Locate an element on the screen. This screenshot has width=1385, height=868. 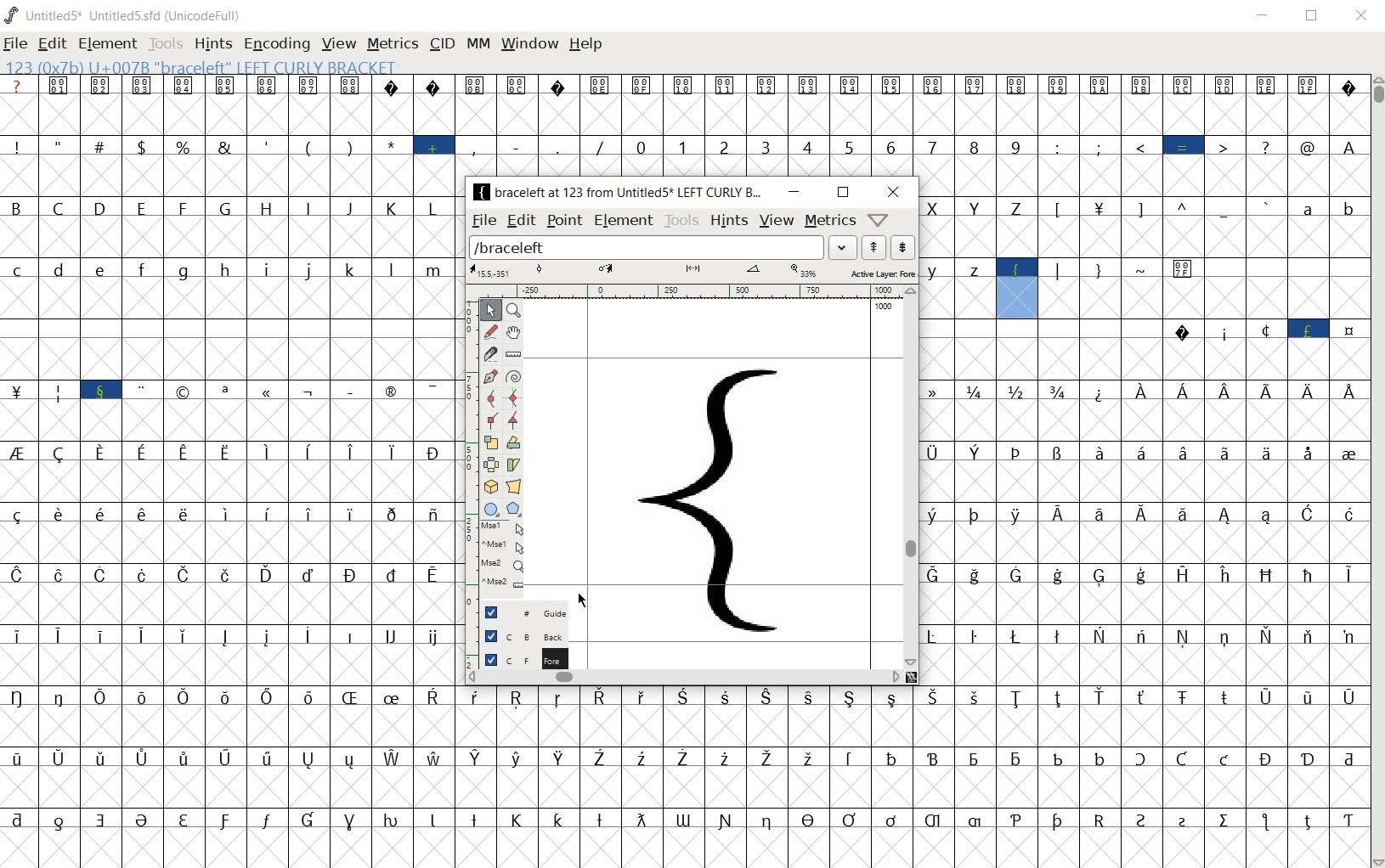
scrollbar is located at coordinates (1377, 471).